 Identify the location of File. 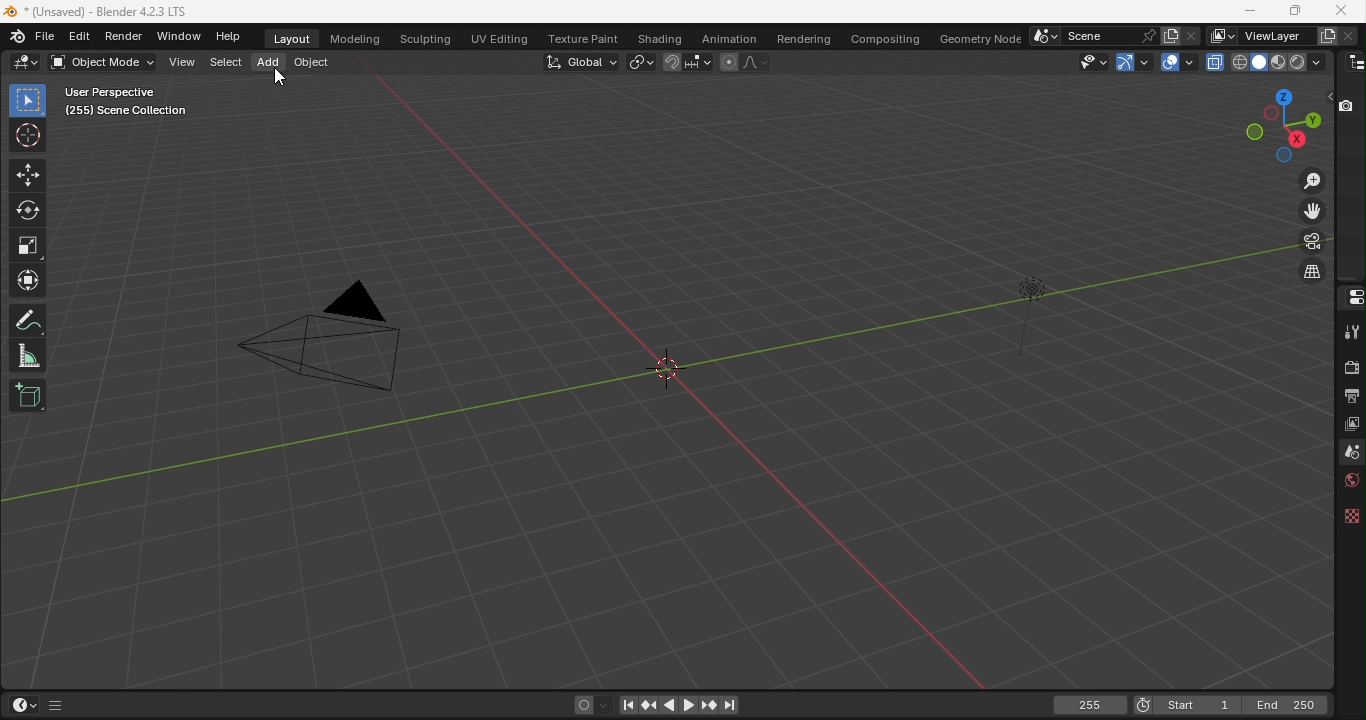
(47, 36).